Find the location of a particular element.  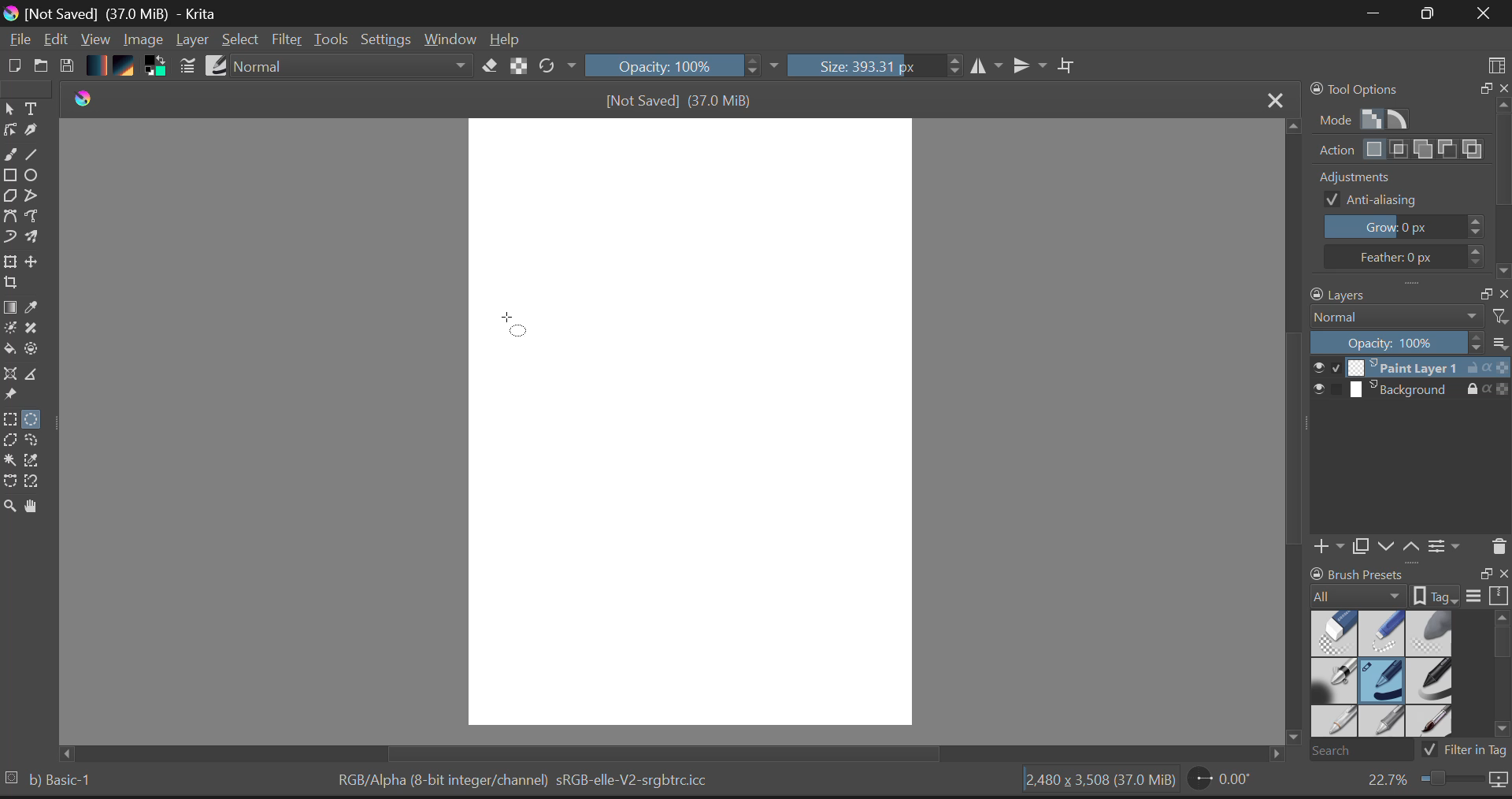

Color Information is located at coordinates (528, 782).